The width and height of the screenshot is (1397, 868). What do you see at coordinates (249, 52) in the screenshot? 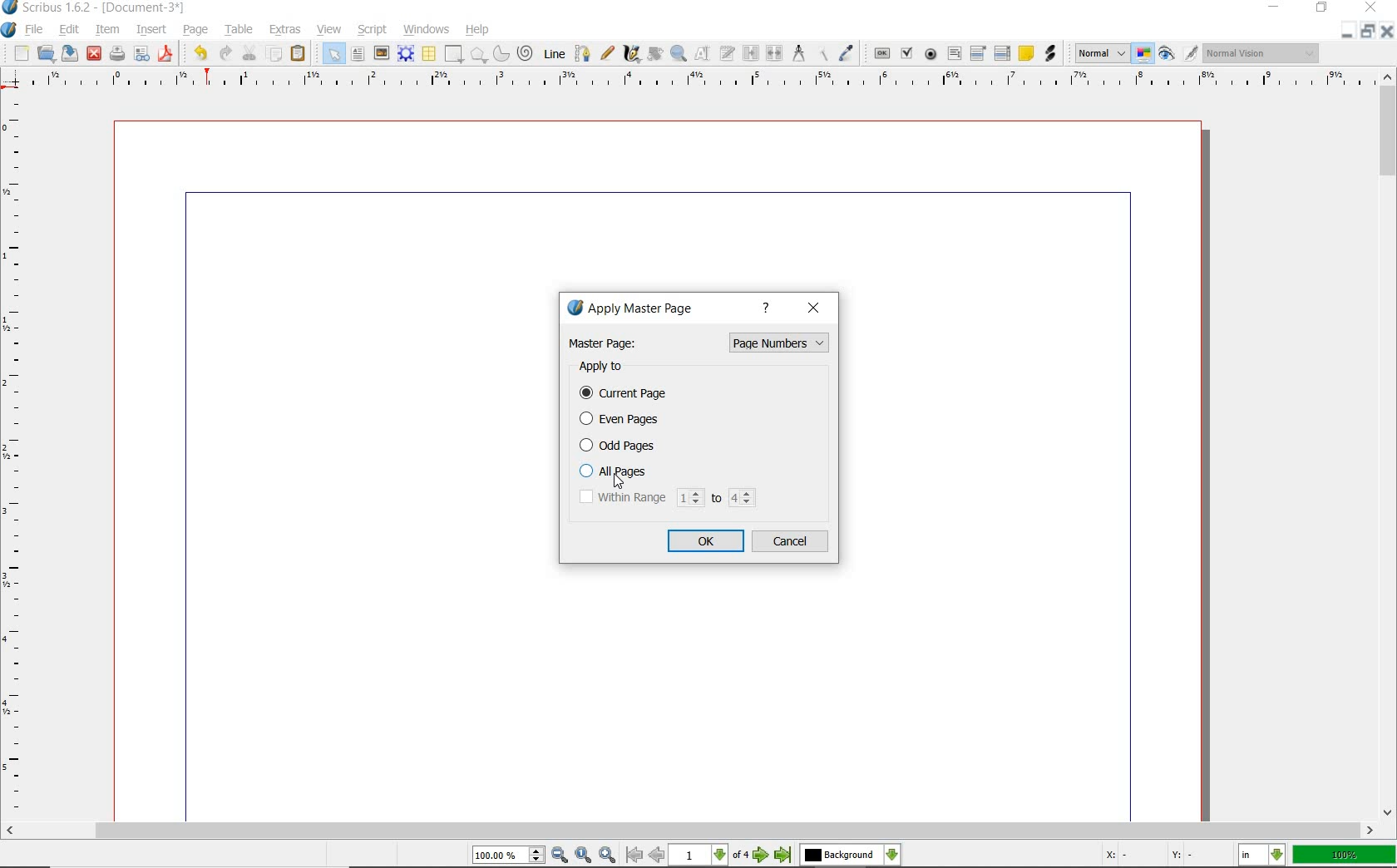
I see `cut` at bounding box center [249, 52].